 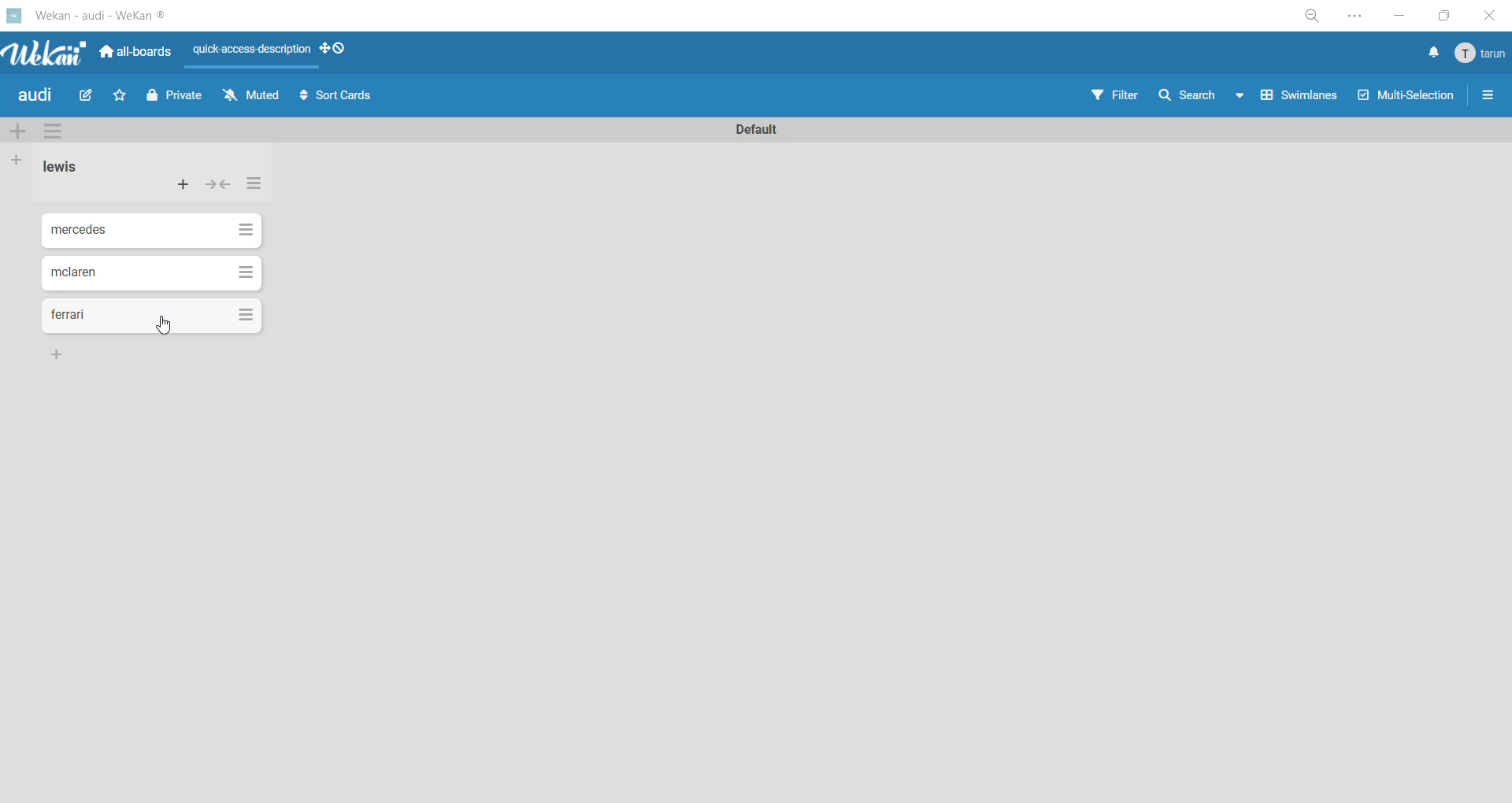 I want to click on list title, so click(x=62, y=168).